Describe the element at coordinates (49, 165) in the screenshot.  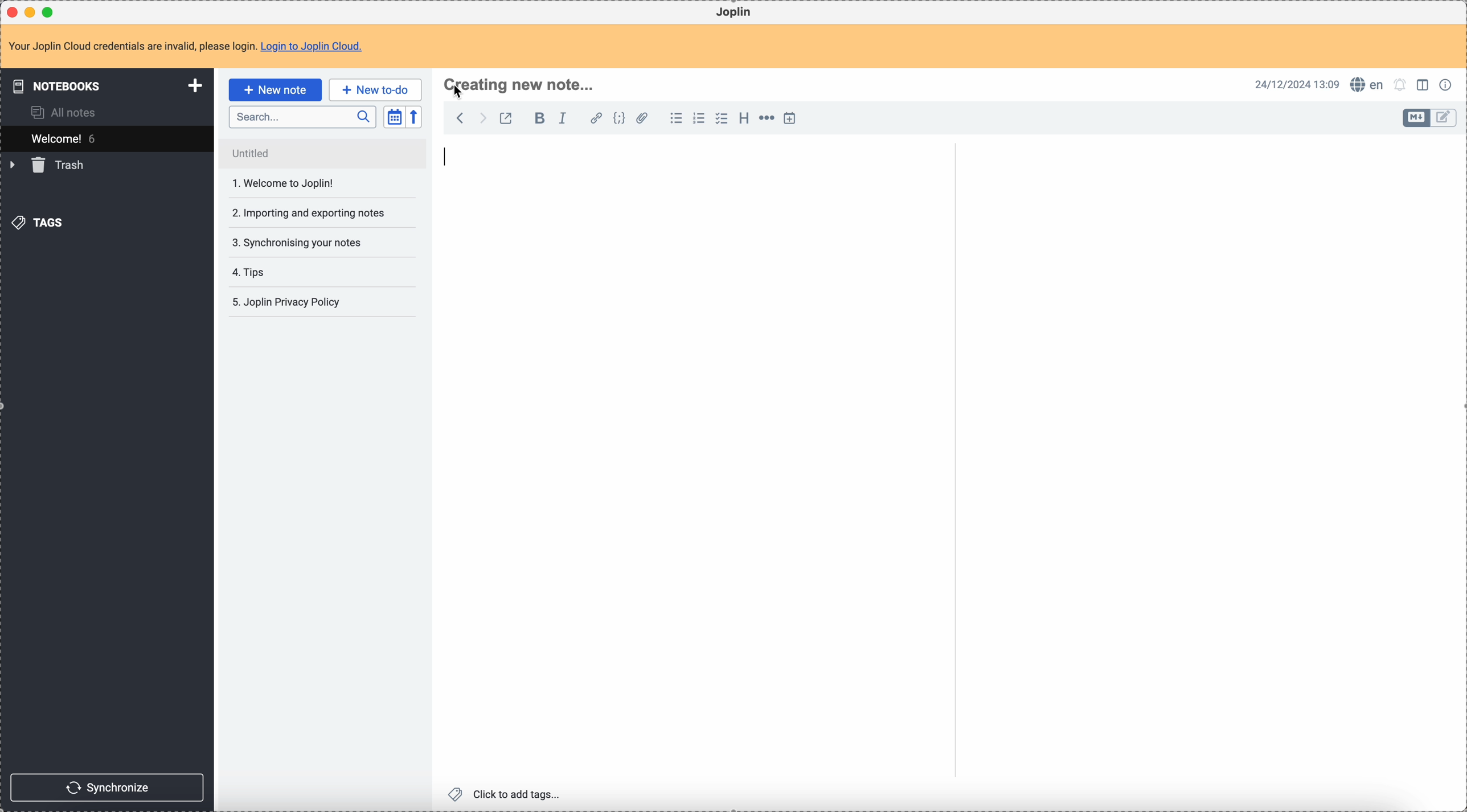
I see `trash` at that location.